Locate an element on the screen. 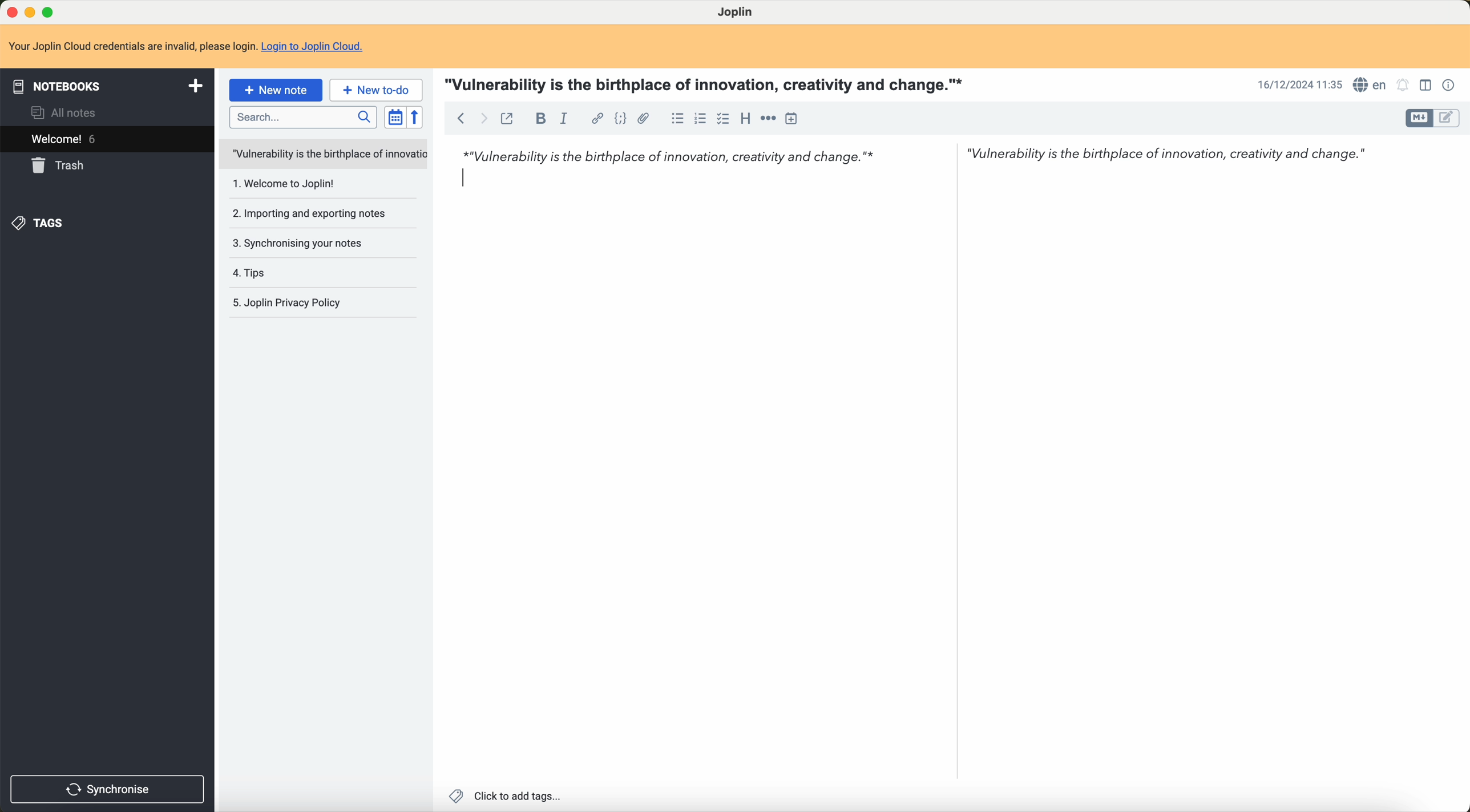 The height and width of the screenshot is (812, 1470). Login to Joplin Cloud. is located at coordinates (319, 47).